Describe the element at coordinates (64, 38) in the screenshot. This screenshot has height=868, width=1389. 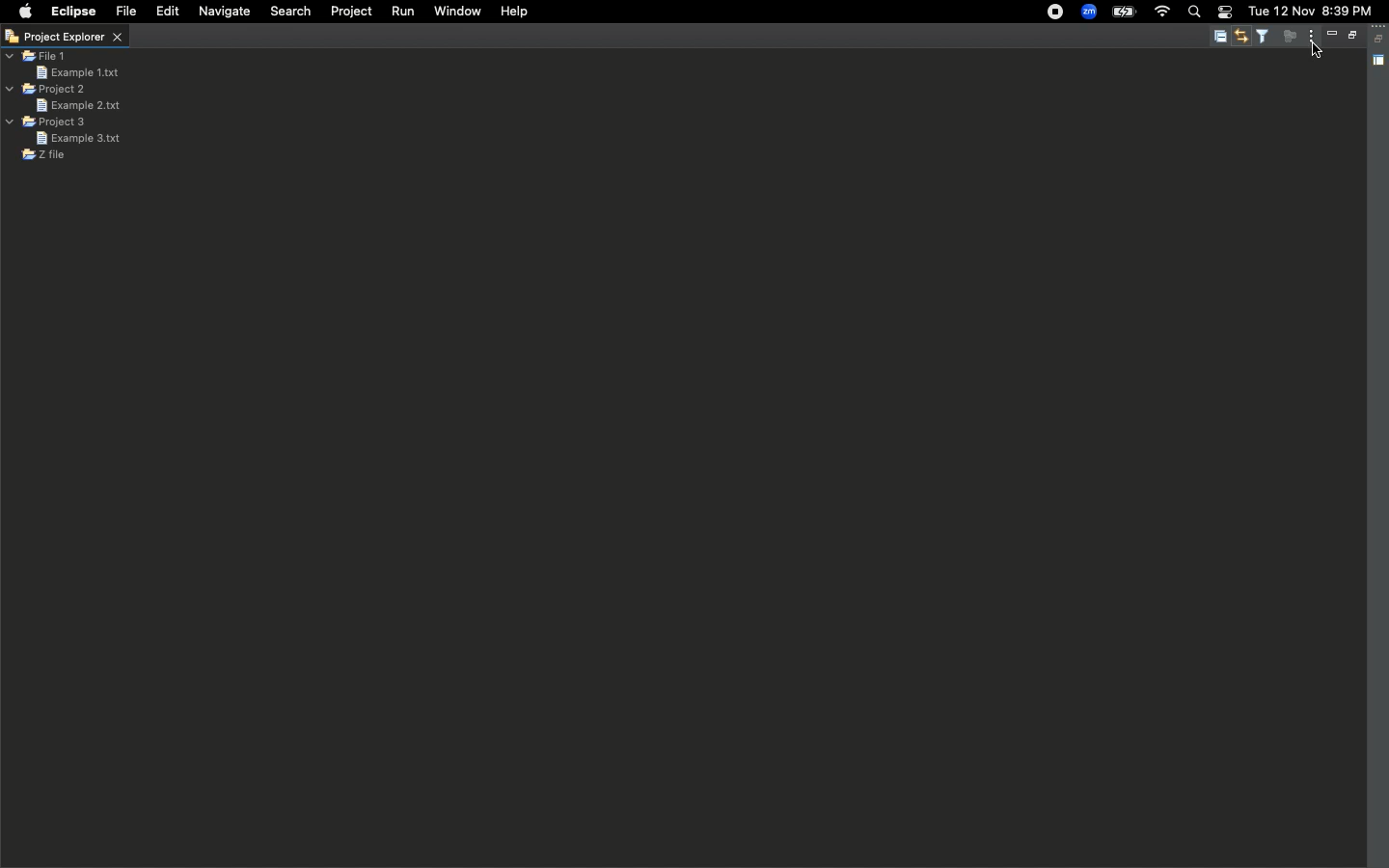
I see `Project explorer` at that location.